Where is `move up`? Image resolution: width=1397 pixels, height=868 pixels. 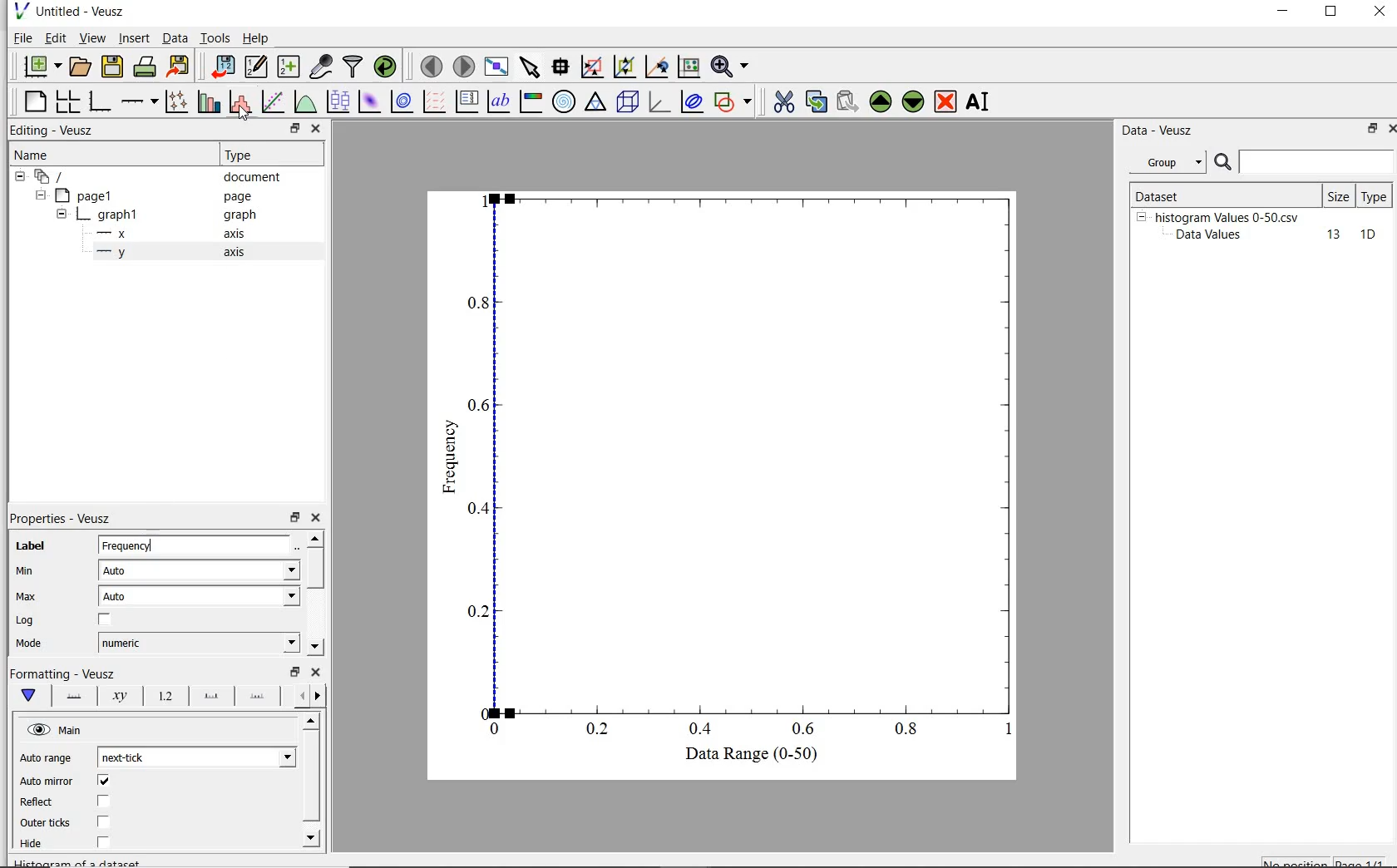 move up is located at coordinates (312, 720).